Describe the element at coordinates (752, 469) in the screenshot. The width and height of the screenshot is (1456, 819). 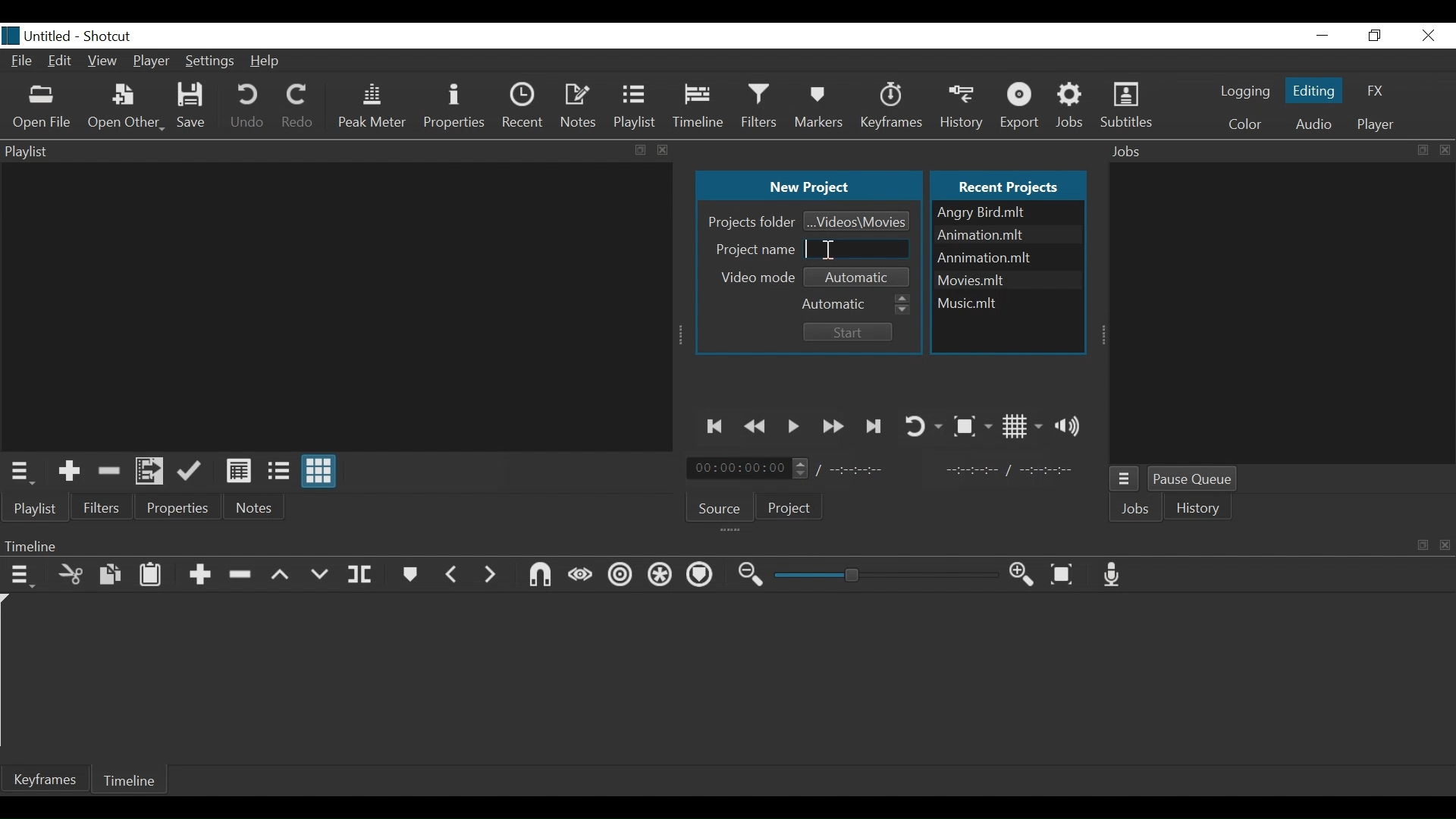
I see `Current position` at that location.